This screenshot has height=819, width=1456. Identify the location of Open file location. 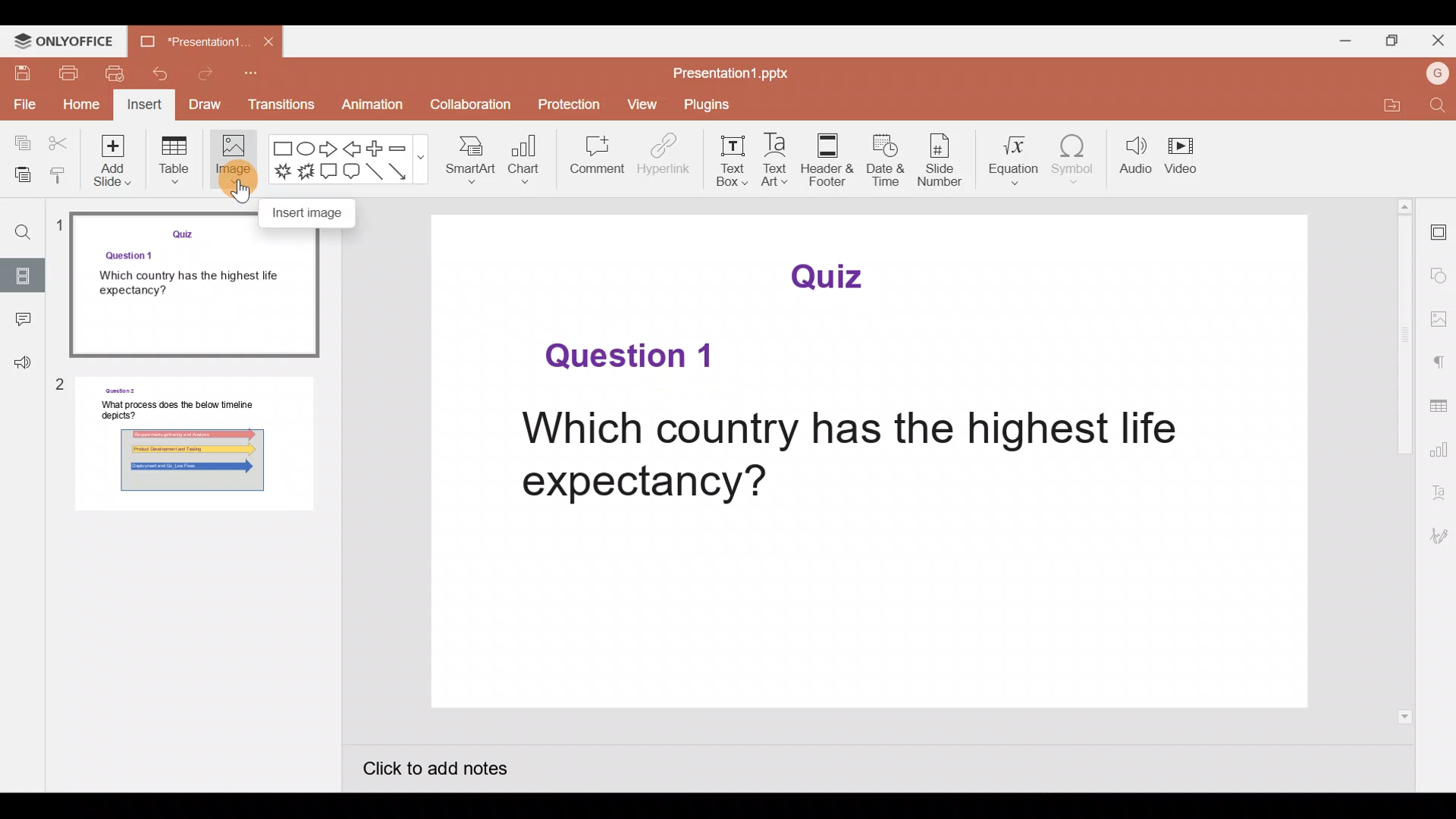
(1389, 108).